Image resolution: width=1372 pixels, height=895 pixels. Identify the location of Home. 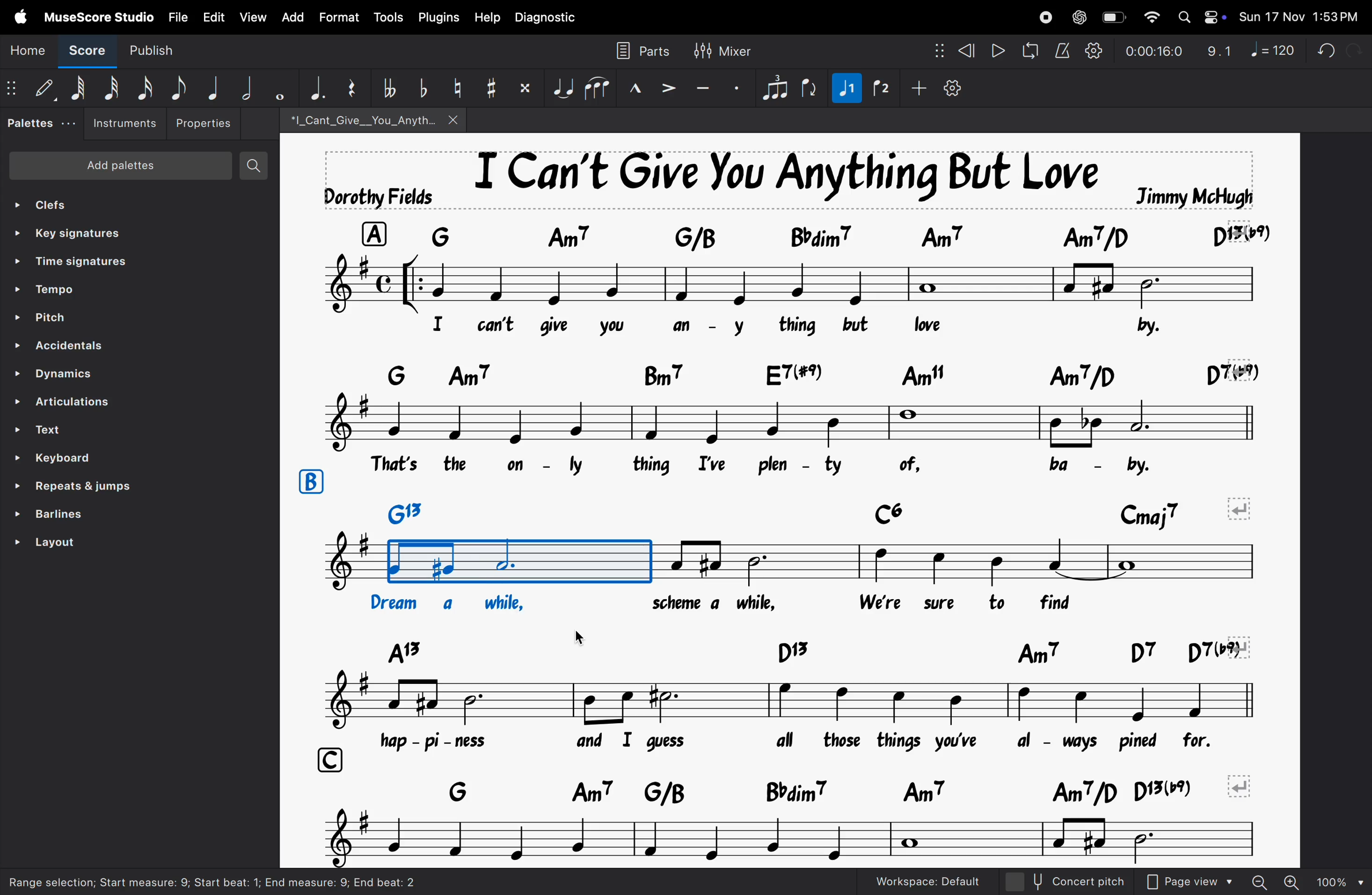
(29, 50).